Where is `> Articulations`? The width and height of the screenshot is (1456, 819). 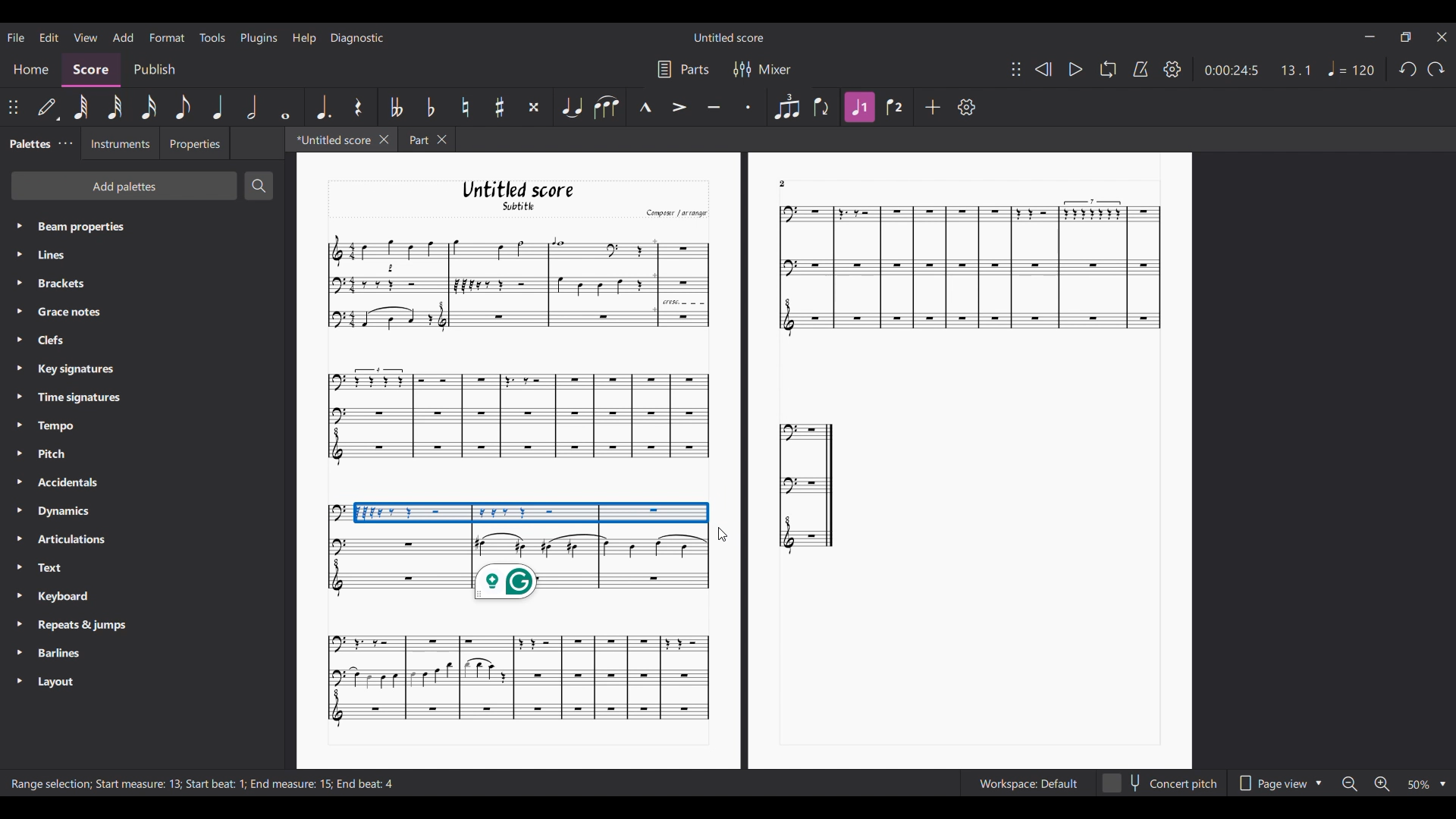 > Articulations is located at coordinates (65, 543).